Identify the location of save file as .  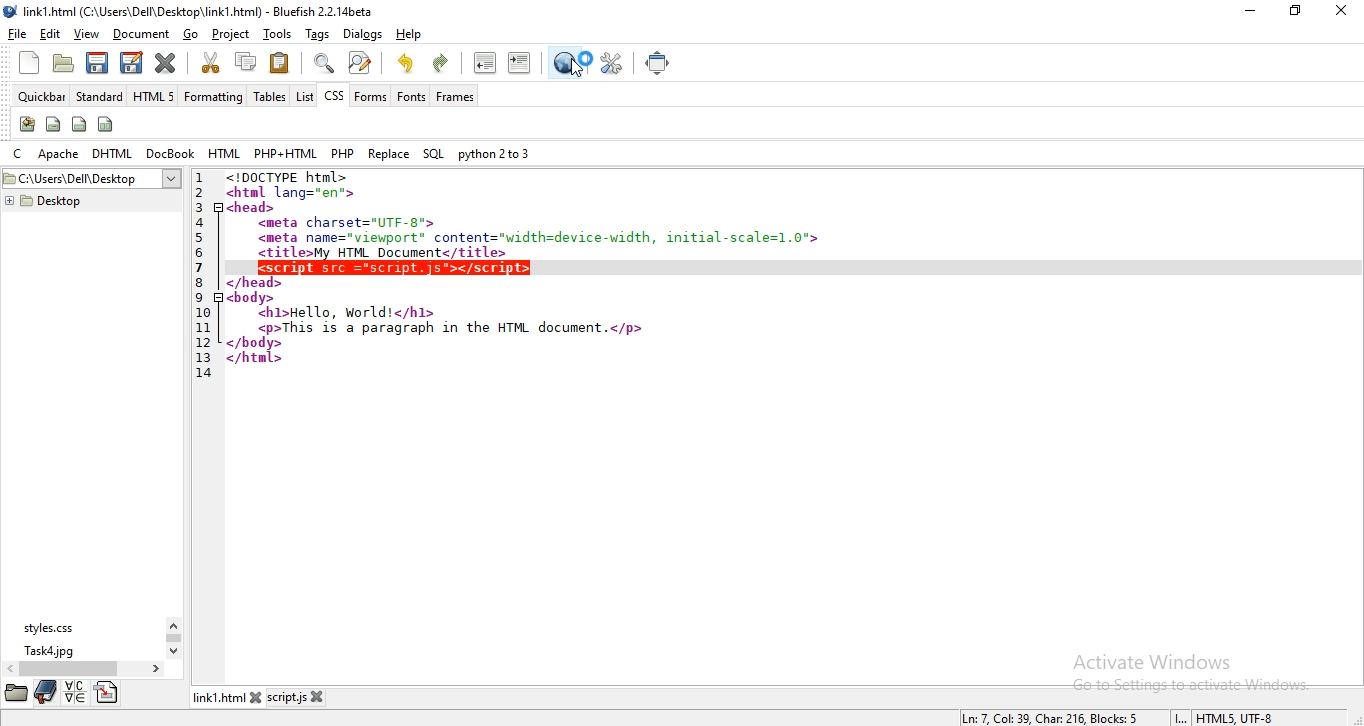
(130, 63).